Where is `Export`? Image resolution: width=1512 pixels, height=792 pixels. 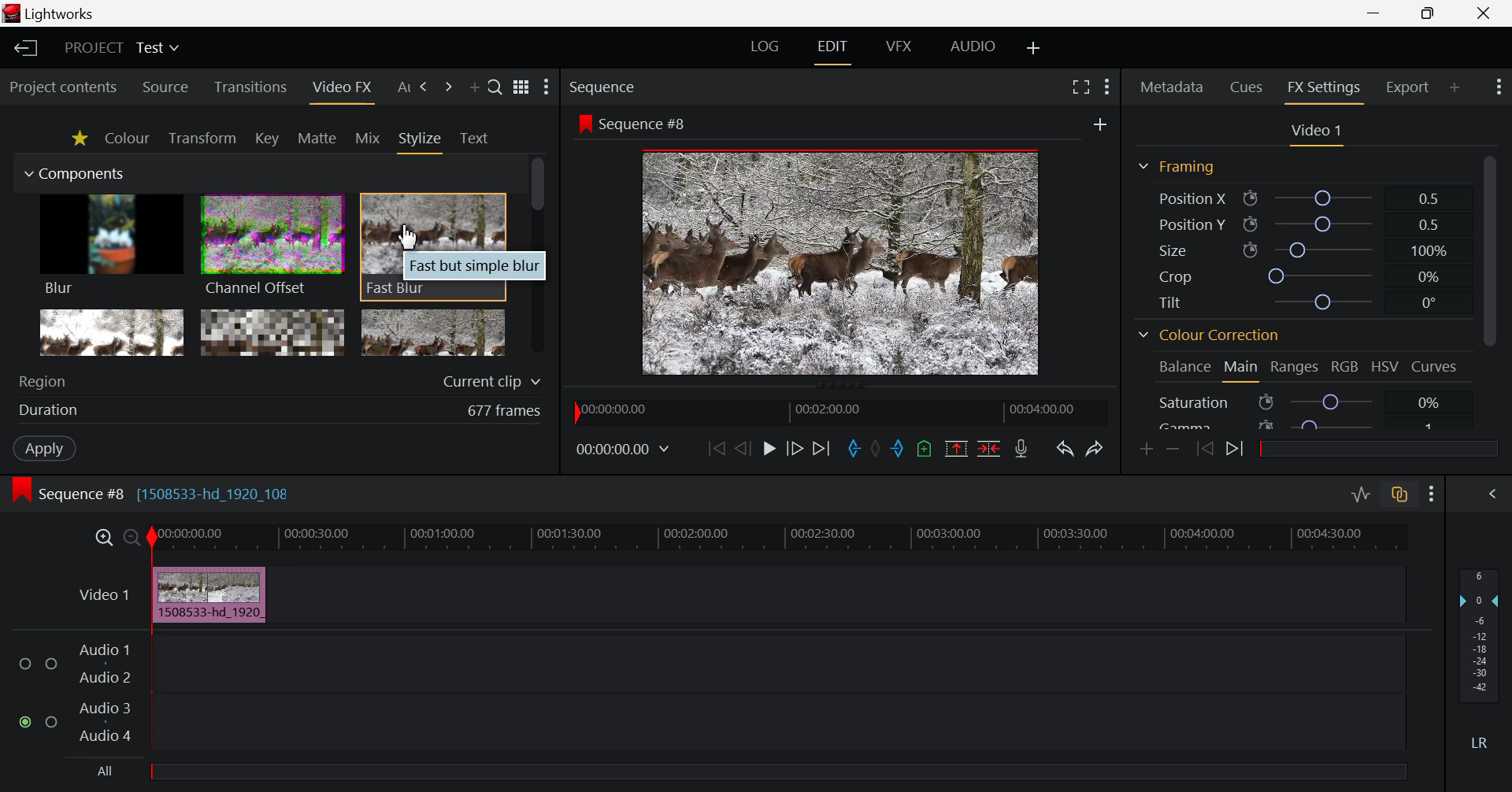
Export is located at coordinates (1409, 87).